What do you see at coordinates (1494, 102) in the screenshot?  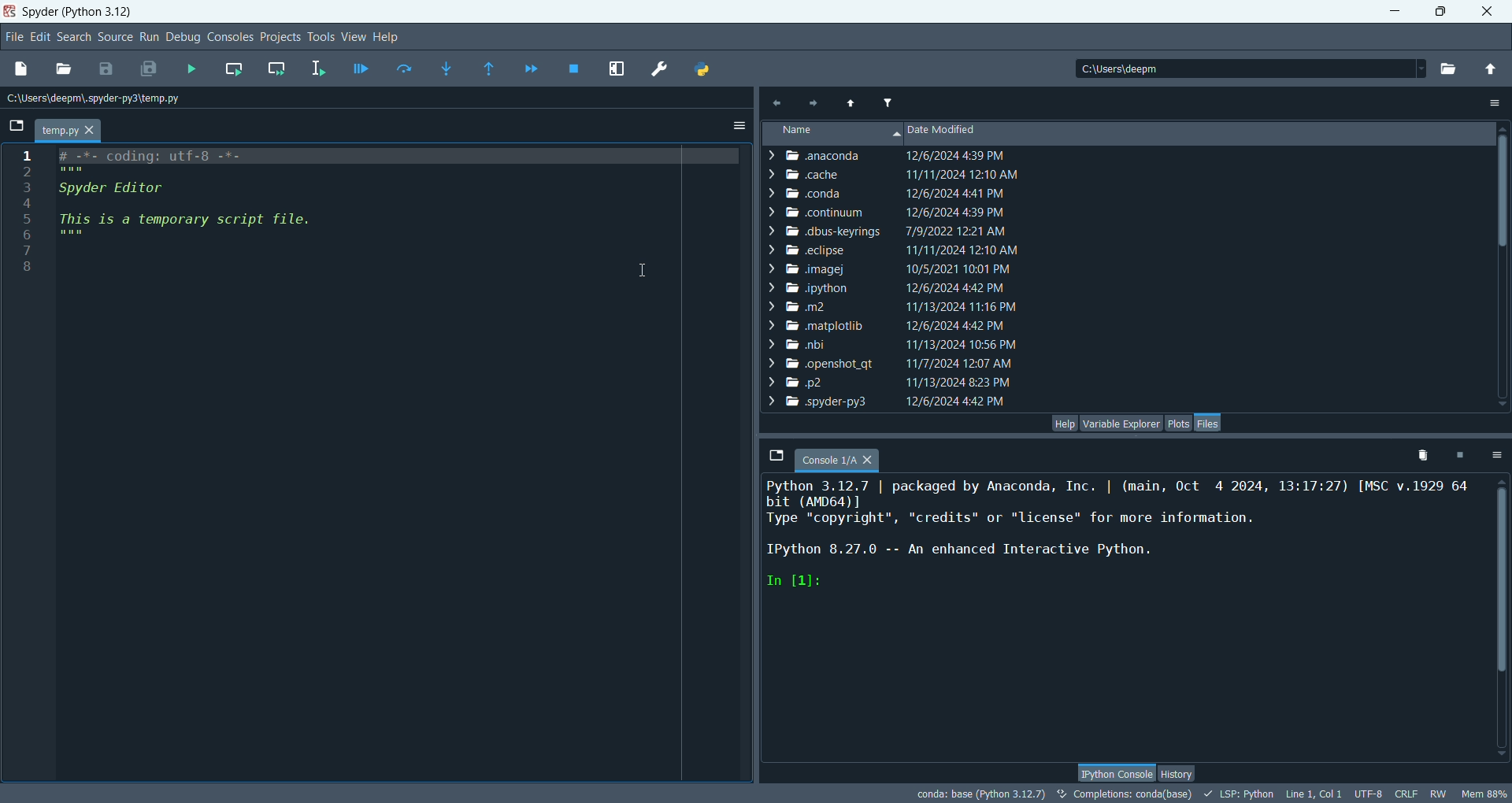 I see `options` at bounding box center [1494, 102].